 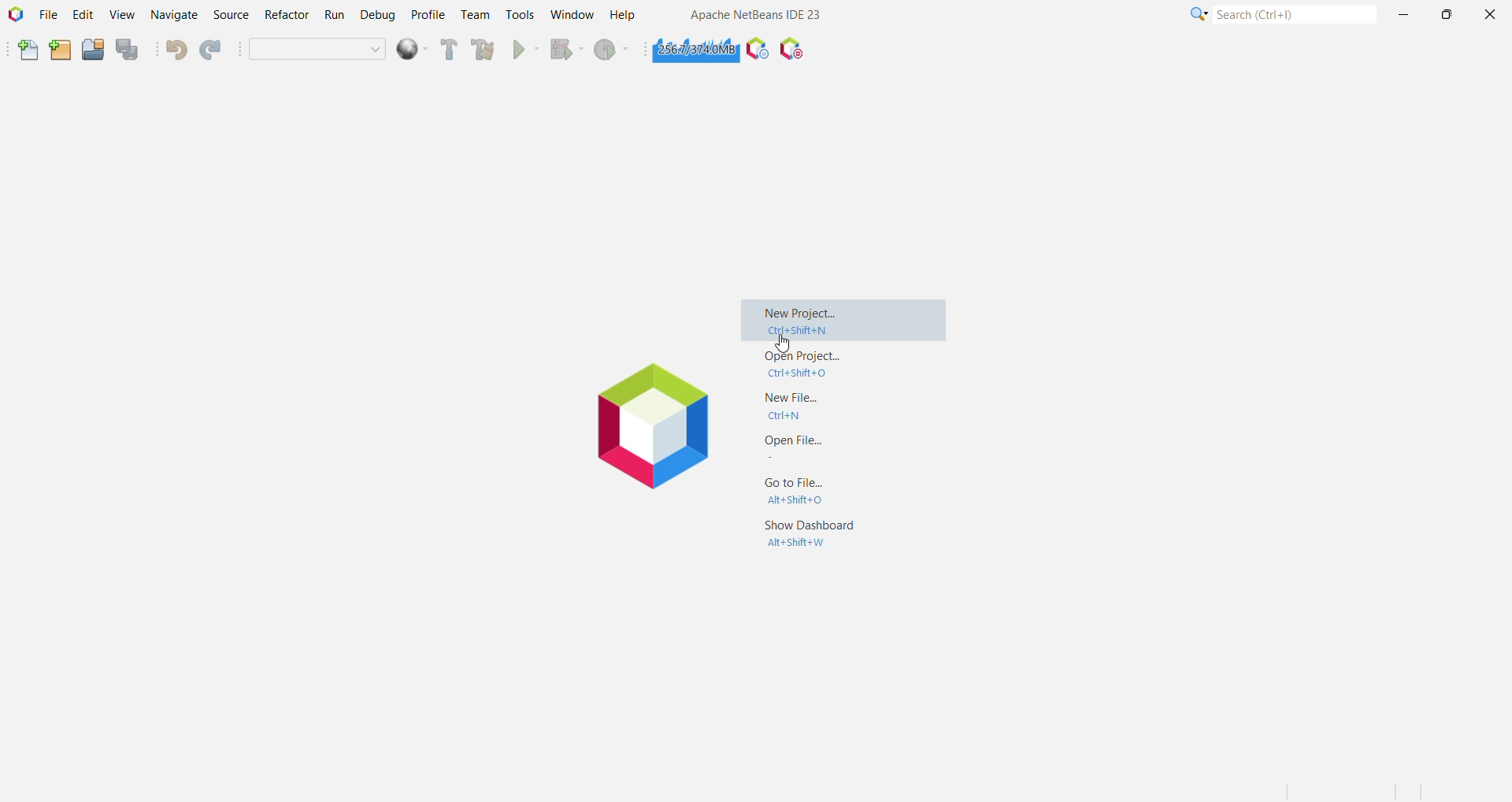 What do you see at coordinates (1197, 17) in the screenshot?
I see `More Options` at bounding box center [1197, 17].